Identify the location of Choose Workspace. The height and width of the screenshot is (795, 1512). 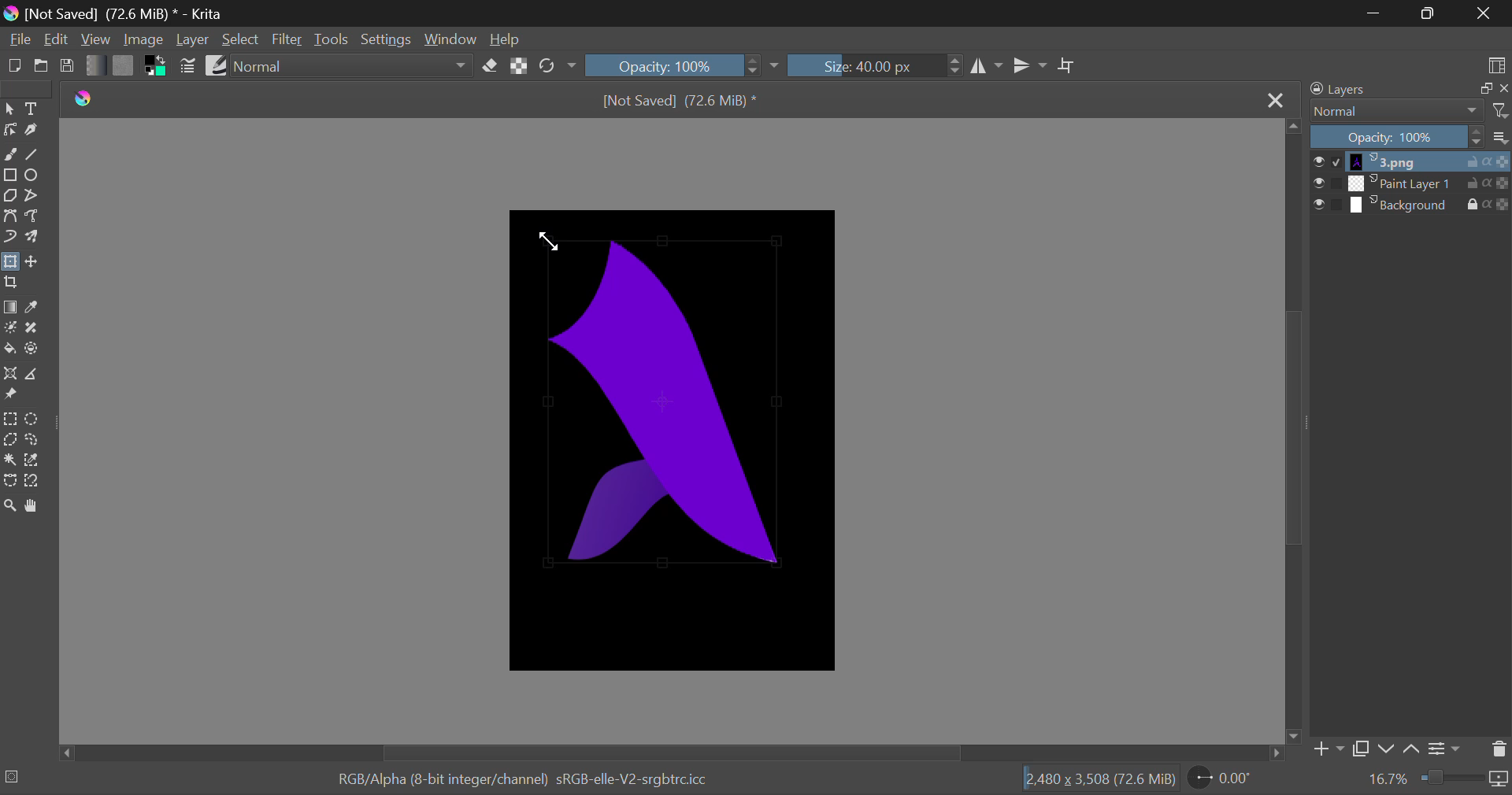
(1497, 65).